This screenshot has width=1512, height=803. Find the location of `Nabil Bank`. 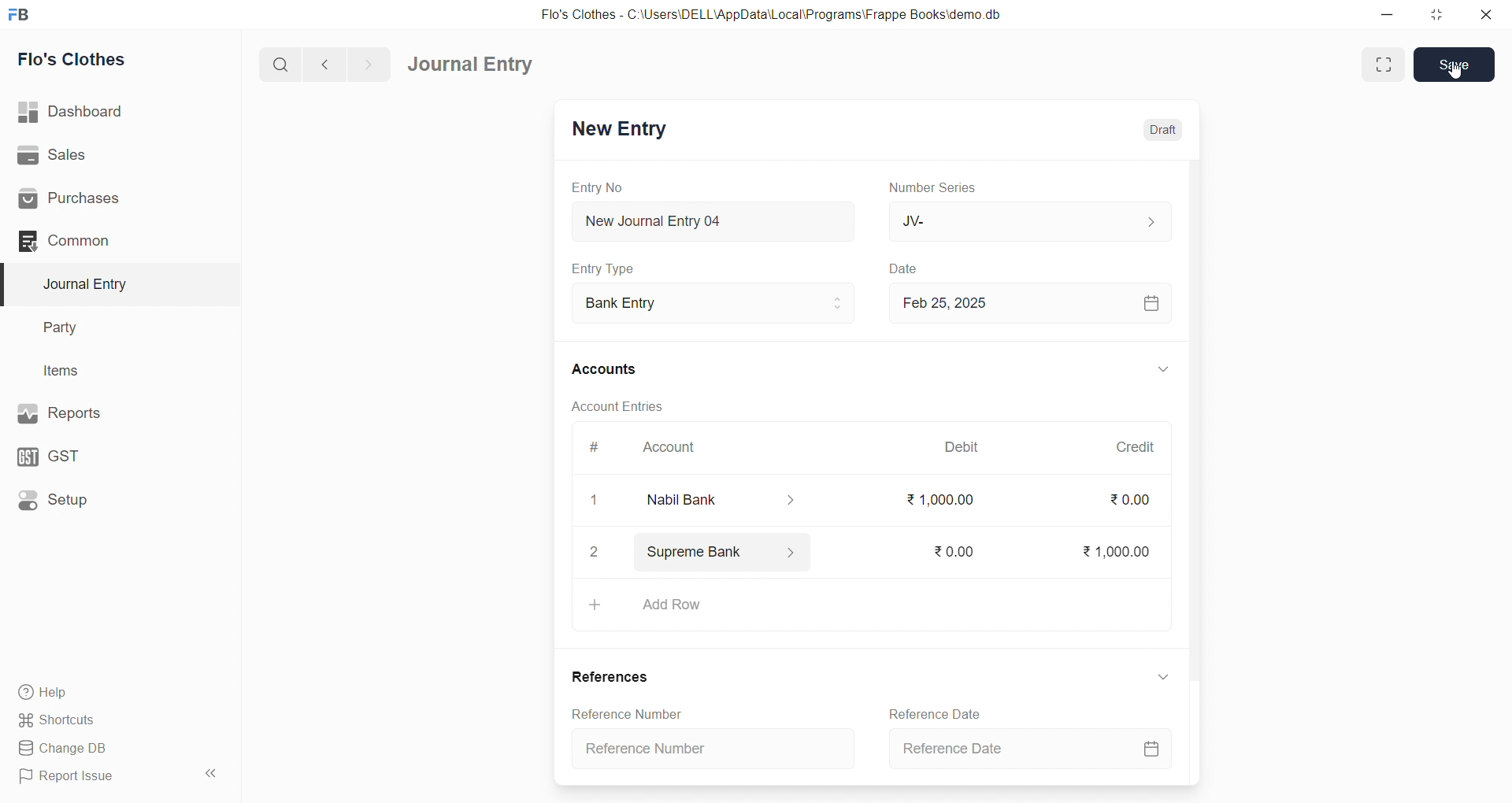

Nabil Bank is located at coordinates (713, 500).